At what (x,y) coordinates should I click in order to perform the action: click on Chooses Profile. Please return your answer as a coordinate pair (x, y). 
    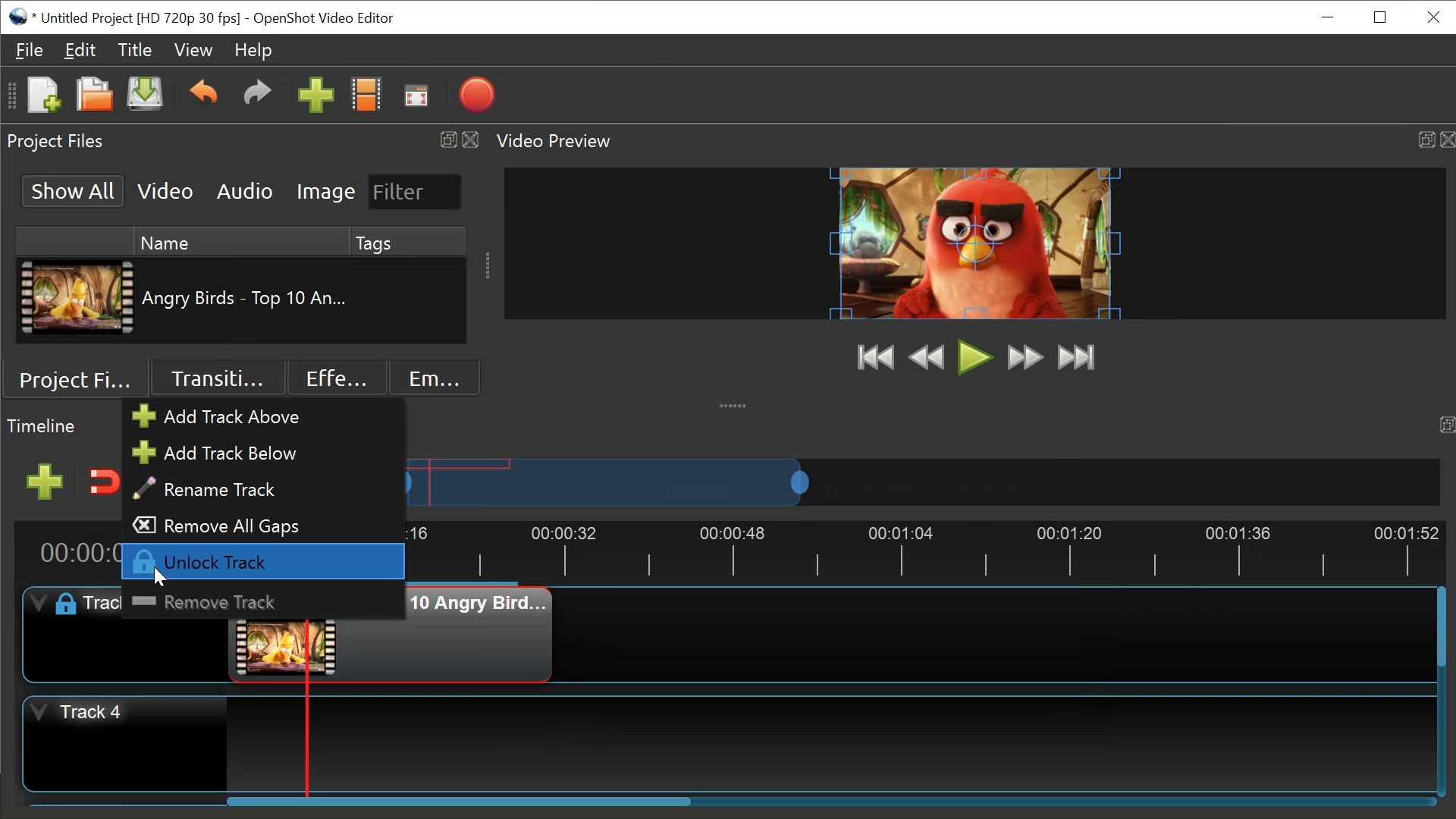
    Looking at the image, I should click on (367, 97).